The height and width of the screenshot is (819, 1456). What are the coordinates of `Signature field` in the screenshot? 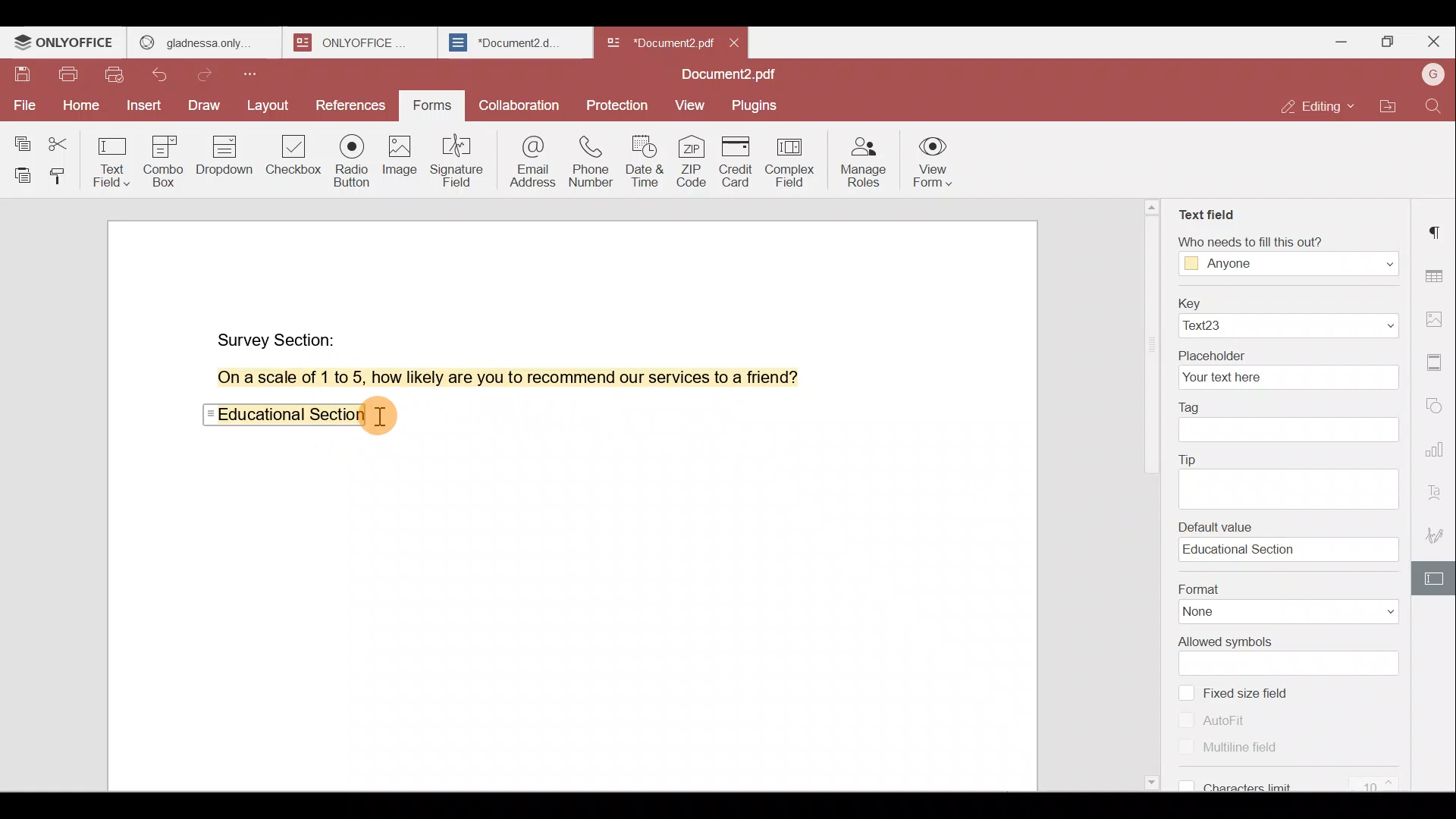 It's located at (454, 160).